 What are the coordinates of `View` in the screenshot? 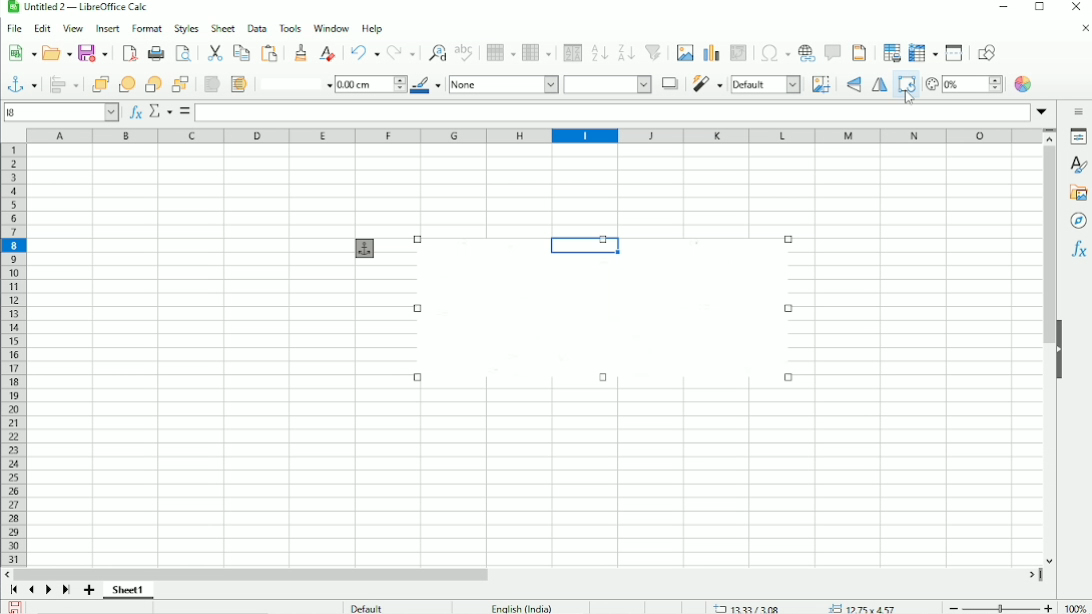 It's located at (72, 28).